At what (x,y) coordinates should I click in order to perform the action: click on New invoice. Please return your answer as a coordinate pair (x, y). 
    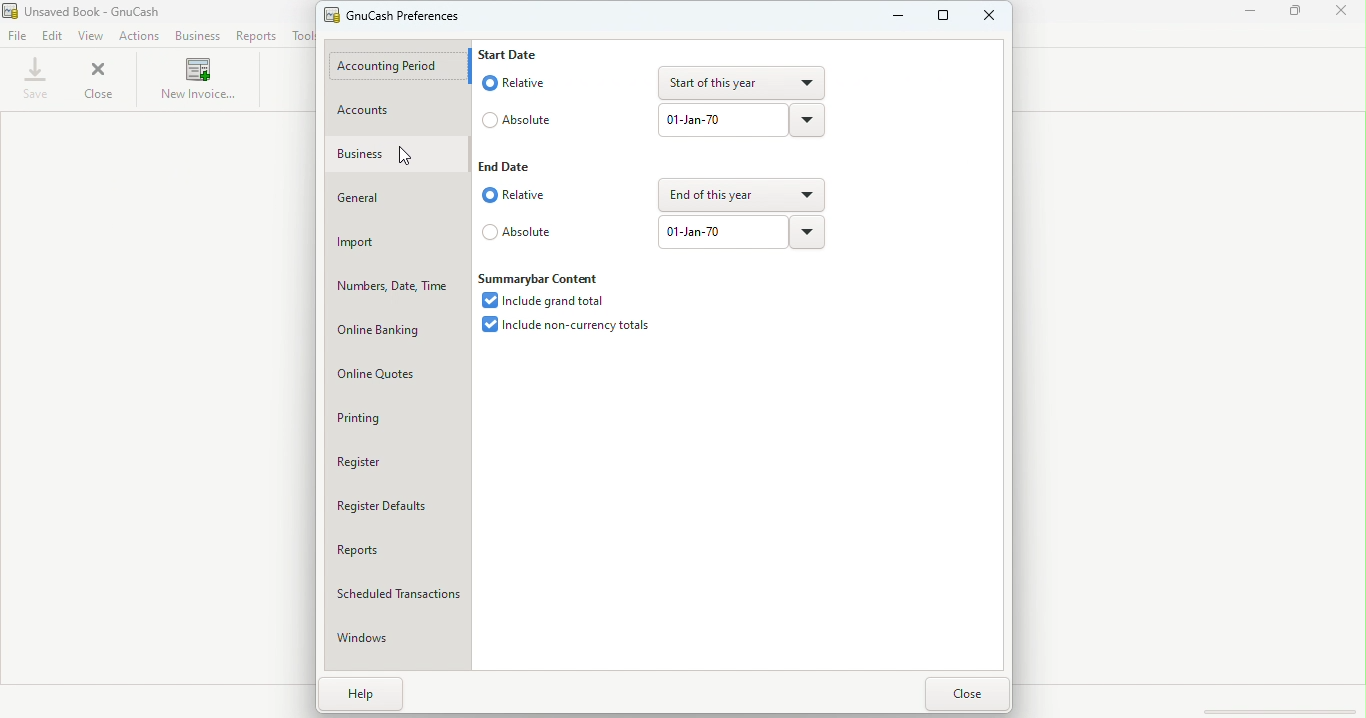
    Looking at the image, I should click on (195, 81).